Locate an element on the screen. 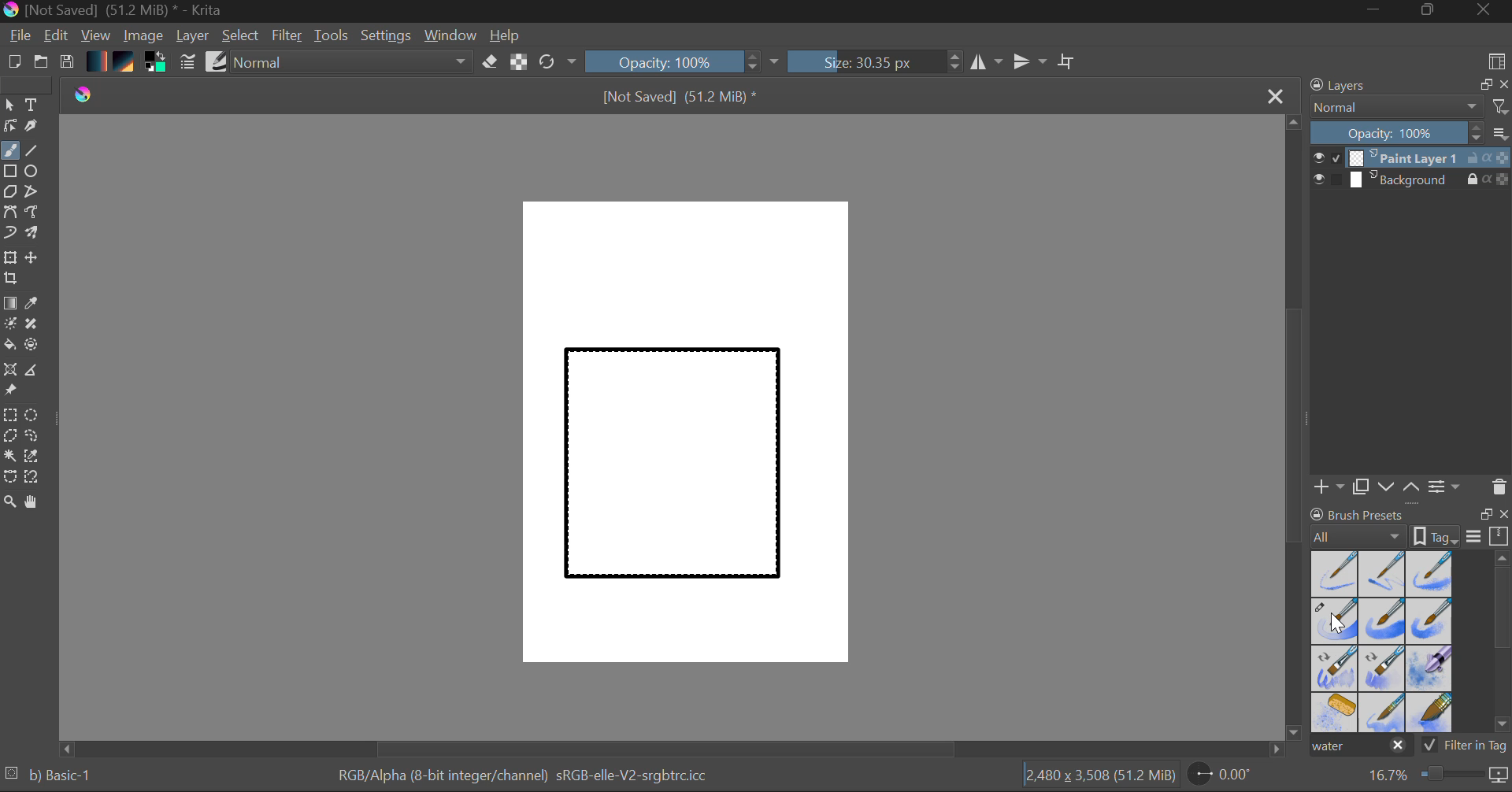 This screenshot has height=792, width=1512. Enclose and Fill is located at coordinates (35, 346).